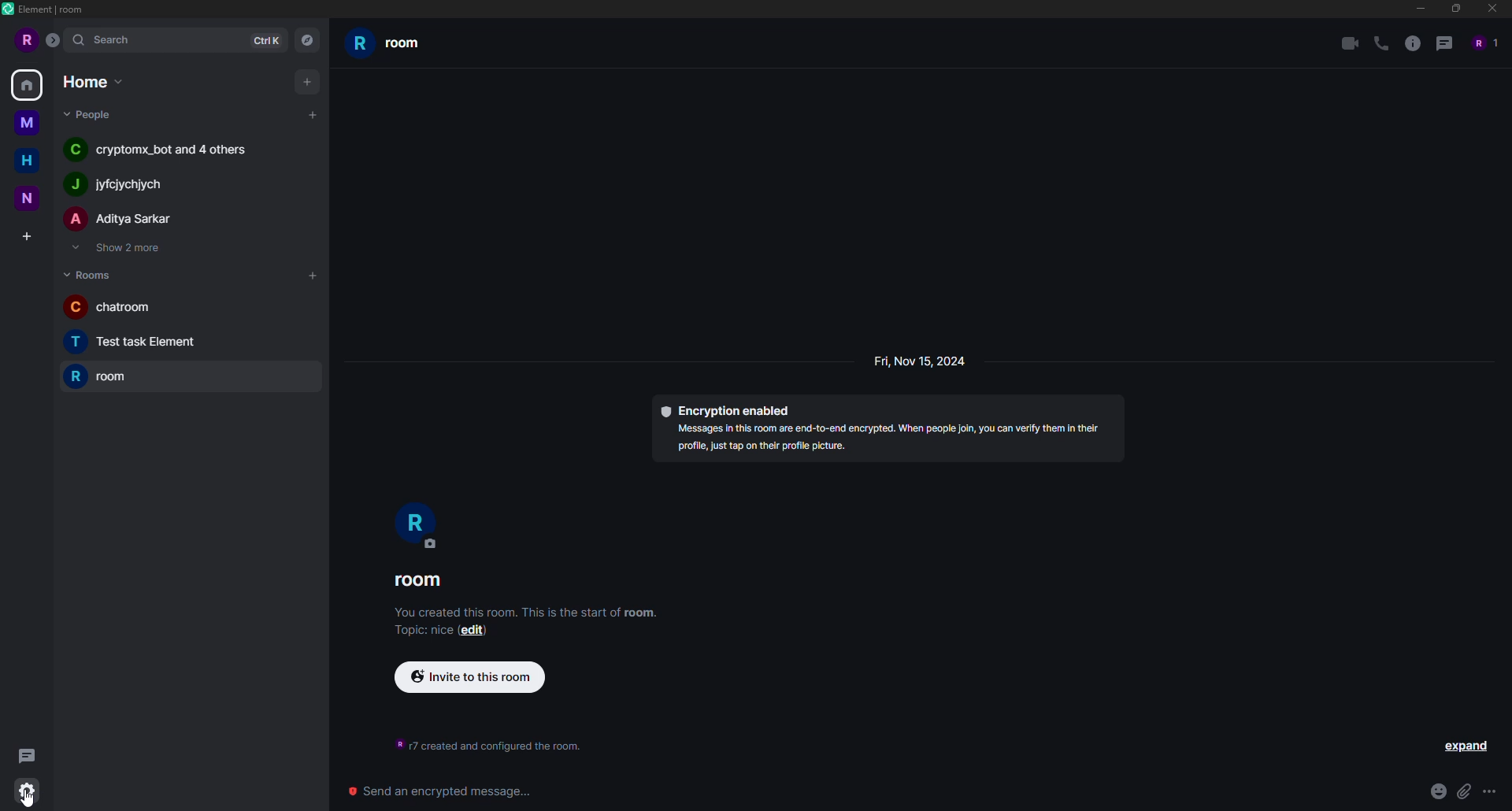 The width and height of the screenshot is (1512, 811). What do you see at coordinates (1493, 9) in the screenshot?
I see `close` at bounding box center [1493, 9].